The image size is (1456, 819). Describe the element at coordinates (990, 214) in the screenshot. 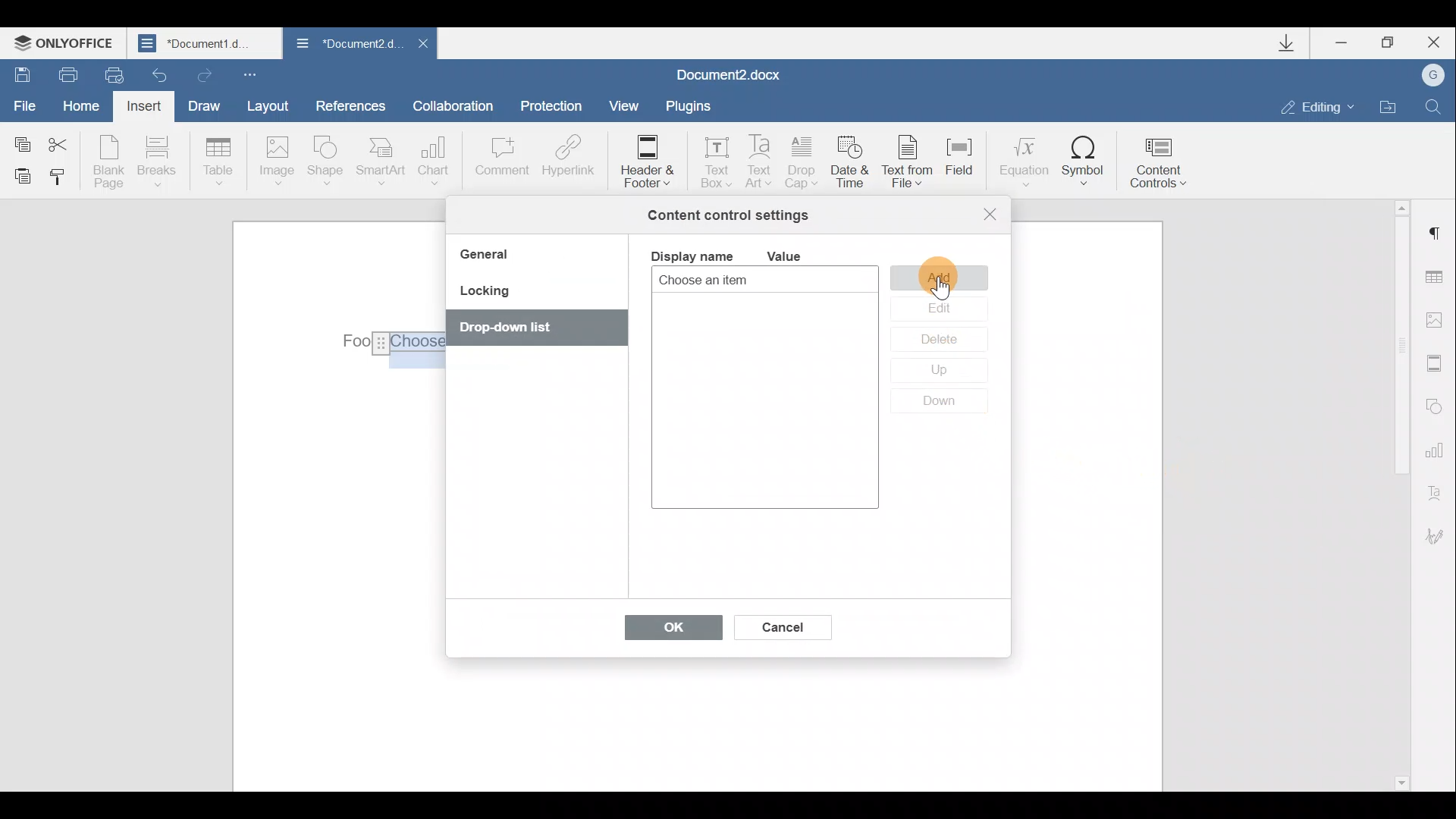

I see `Close` at that location.